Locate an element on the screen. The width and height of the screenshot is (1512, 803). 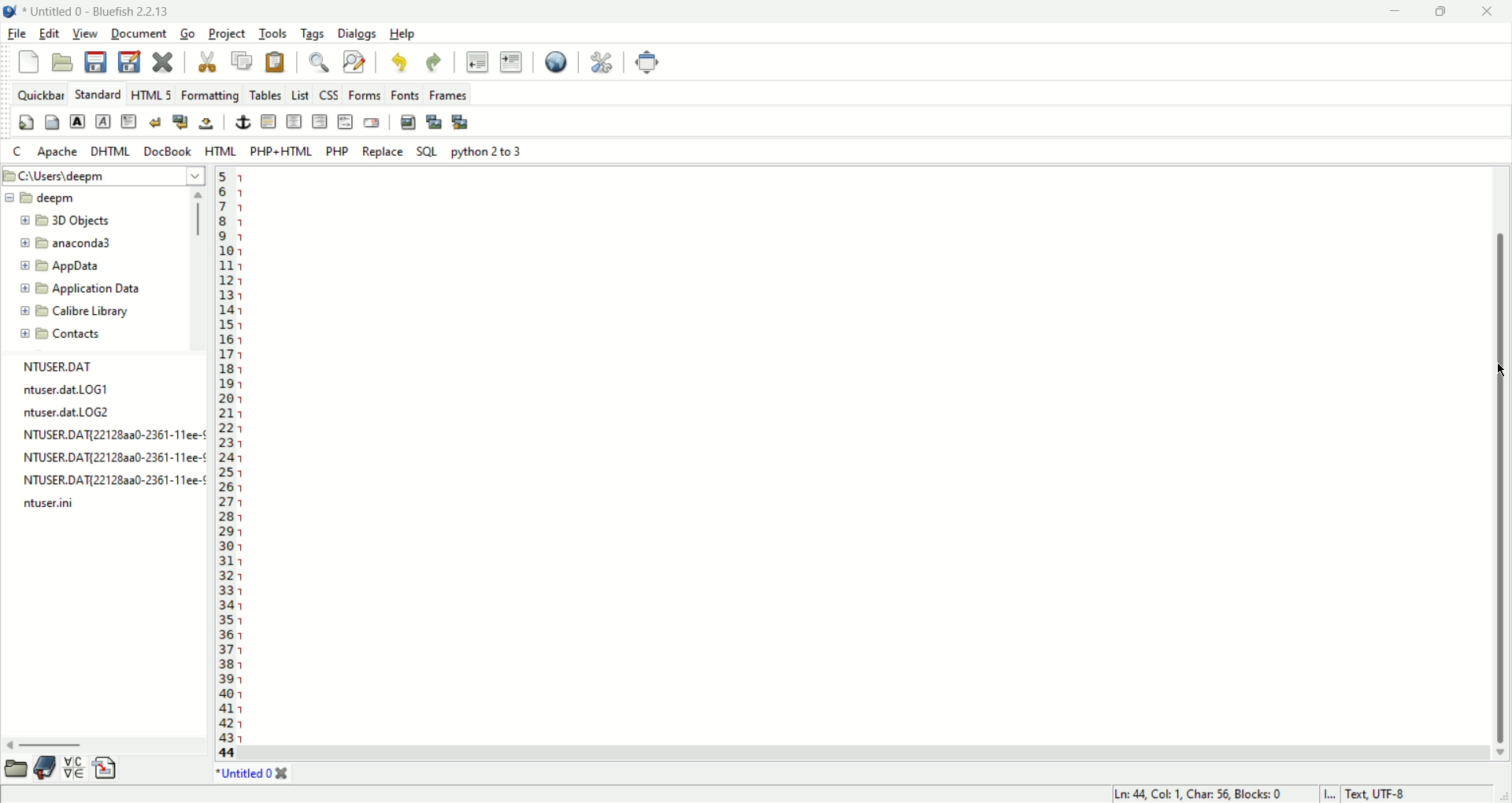
find and replace is located at coordinates (354, 62).